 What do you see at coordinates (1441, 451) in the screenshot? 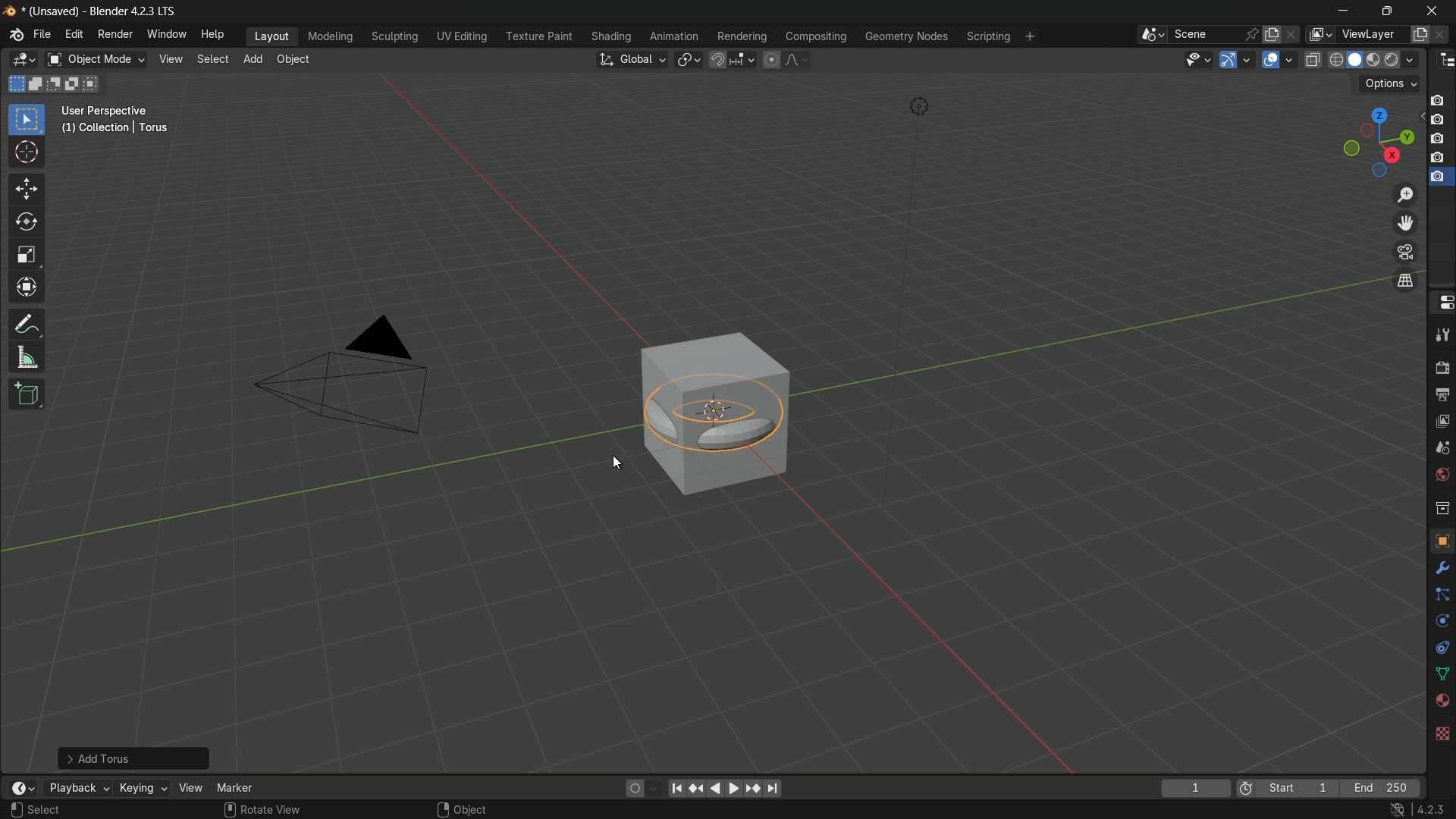
I see `scene` at bounding box center [1441, 451].